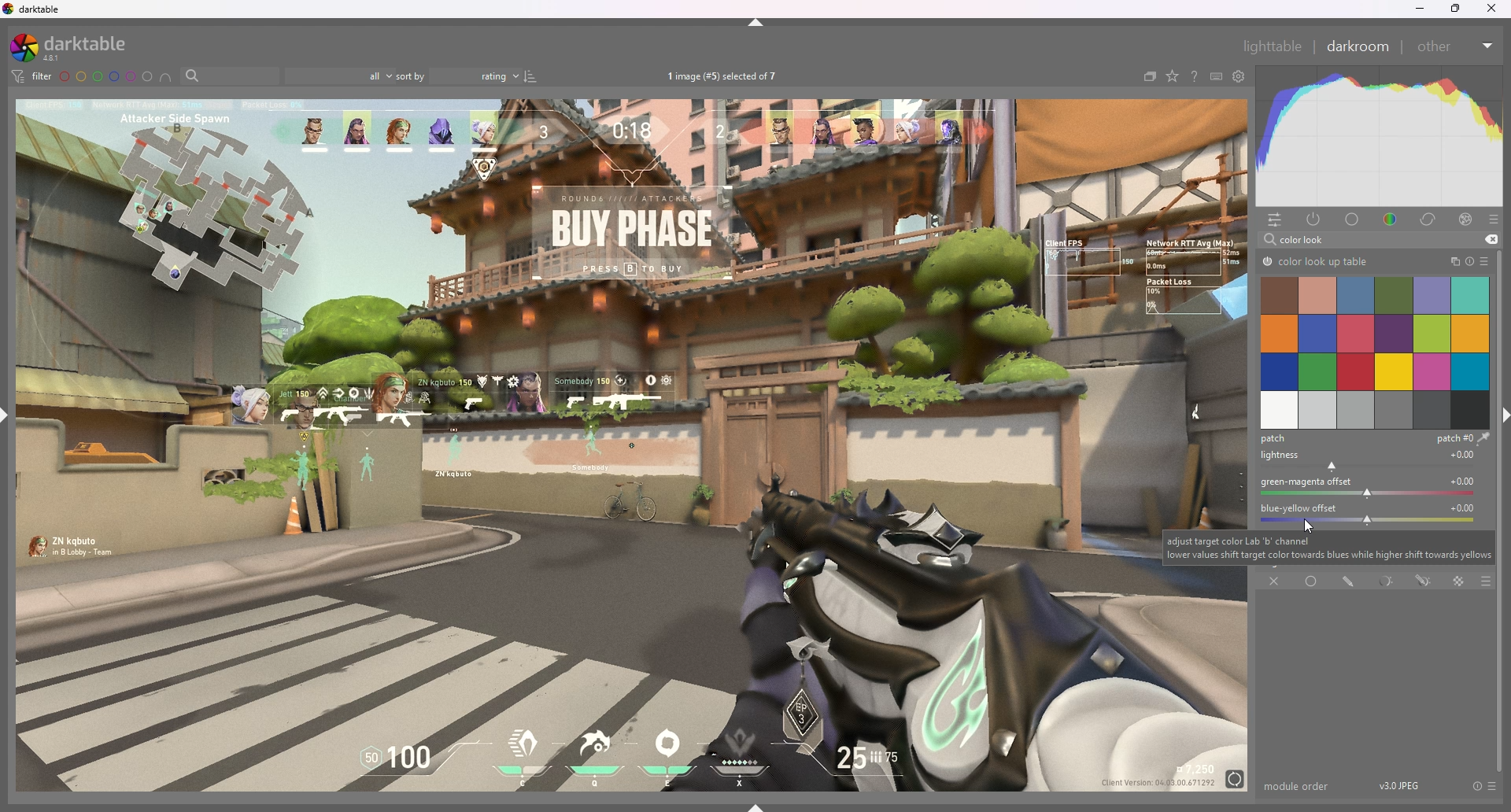 This screenshot has width=1511, height=812. I want to click on color labels, so click(105, 76).